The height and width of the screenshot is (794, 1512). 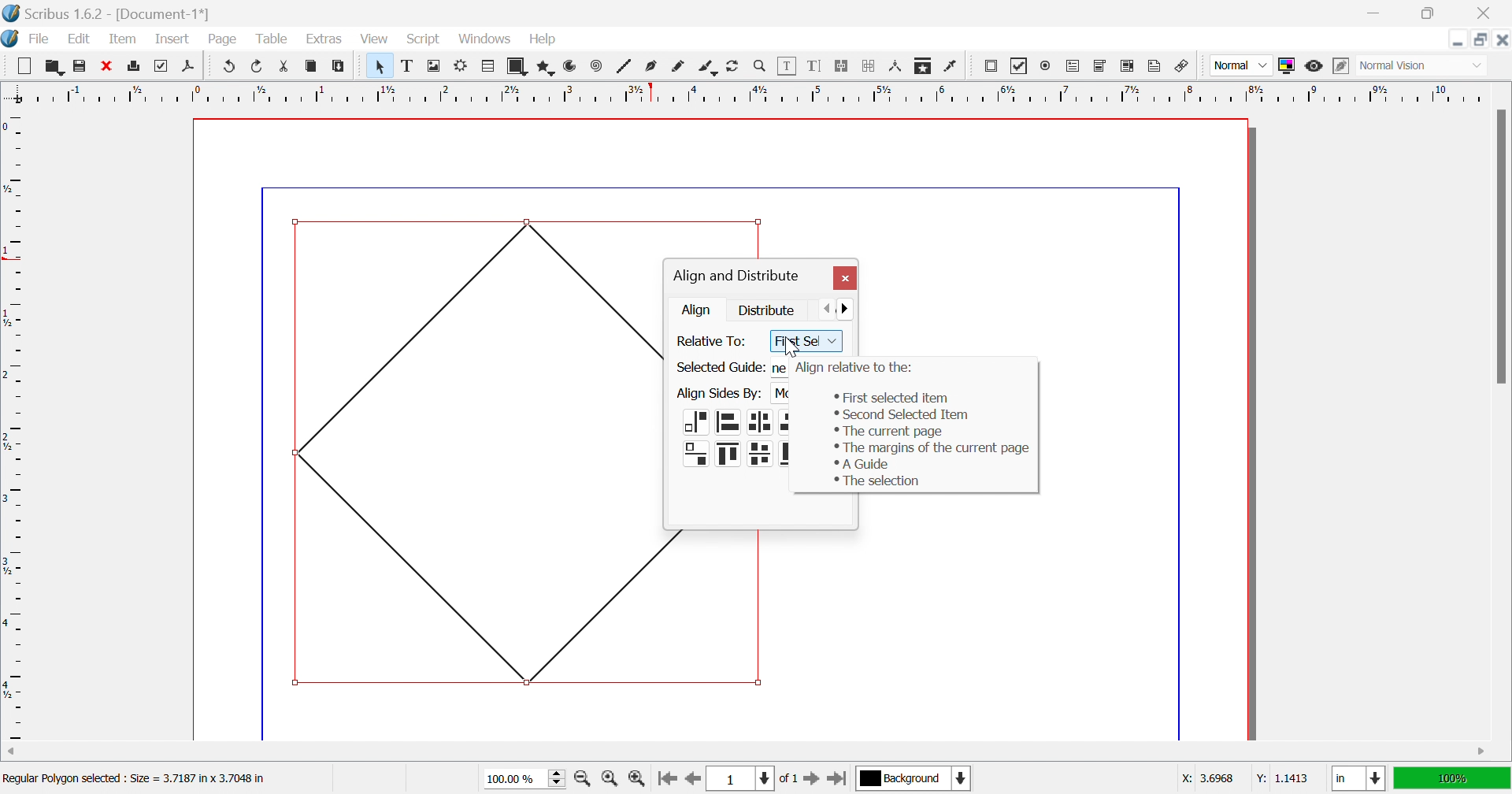 What do you see at coordinates (123, 38) in the screenshot?
I see `Item` at bounding box center [123, 38].